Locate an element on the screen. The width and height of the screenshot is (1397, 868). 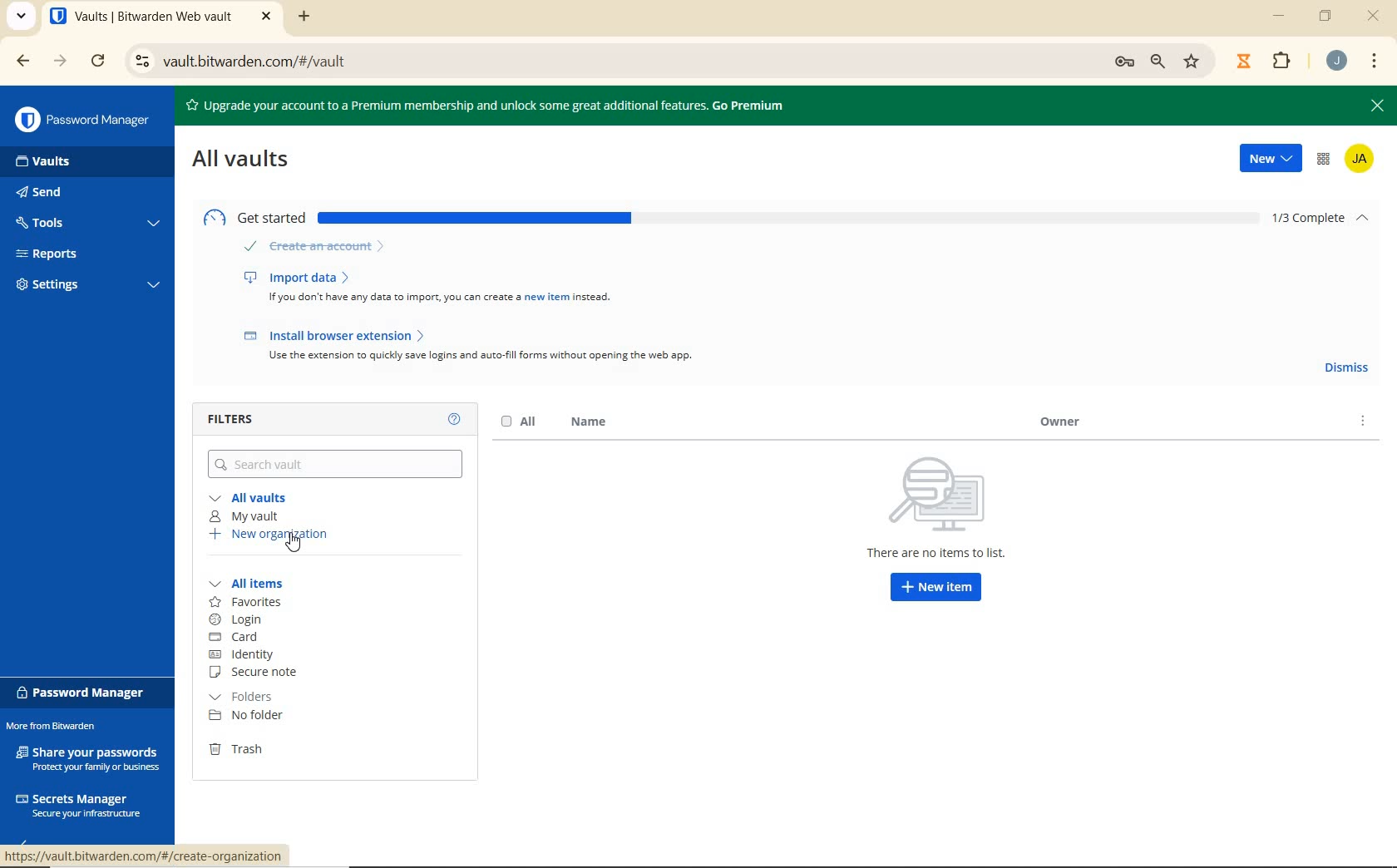
search tabs is located at coordinates (21, 17).